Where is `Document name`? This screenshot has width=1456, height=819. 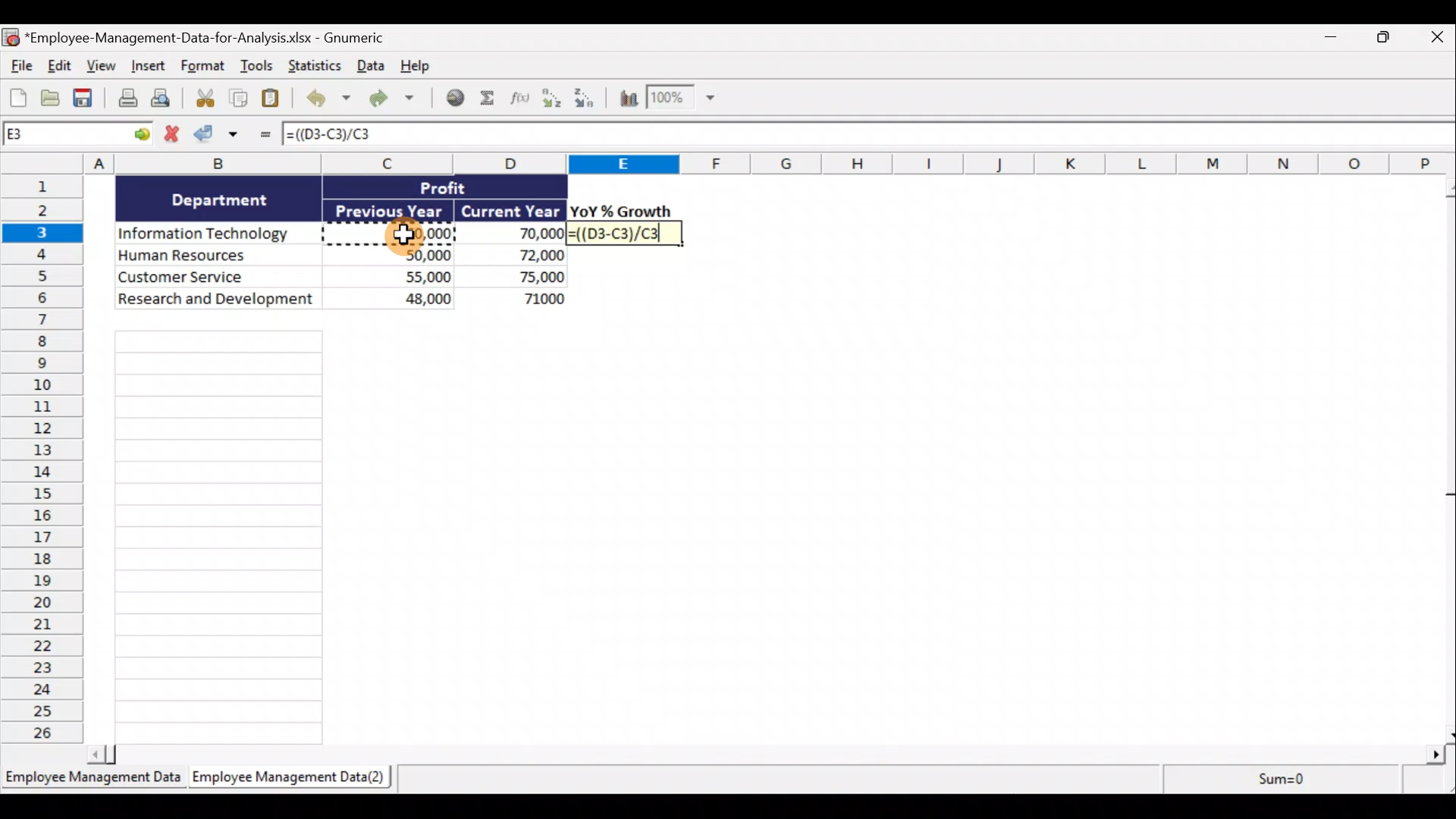 Document name is located at coordinates (208, 36).